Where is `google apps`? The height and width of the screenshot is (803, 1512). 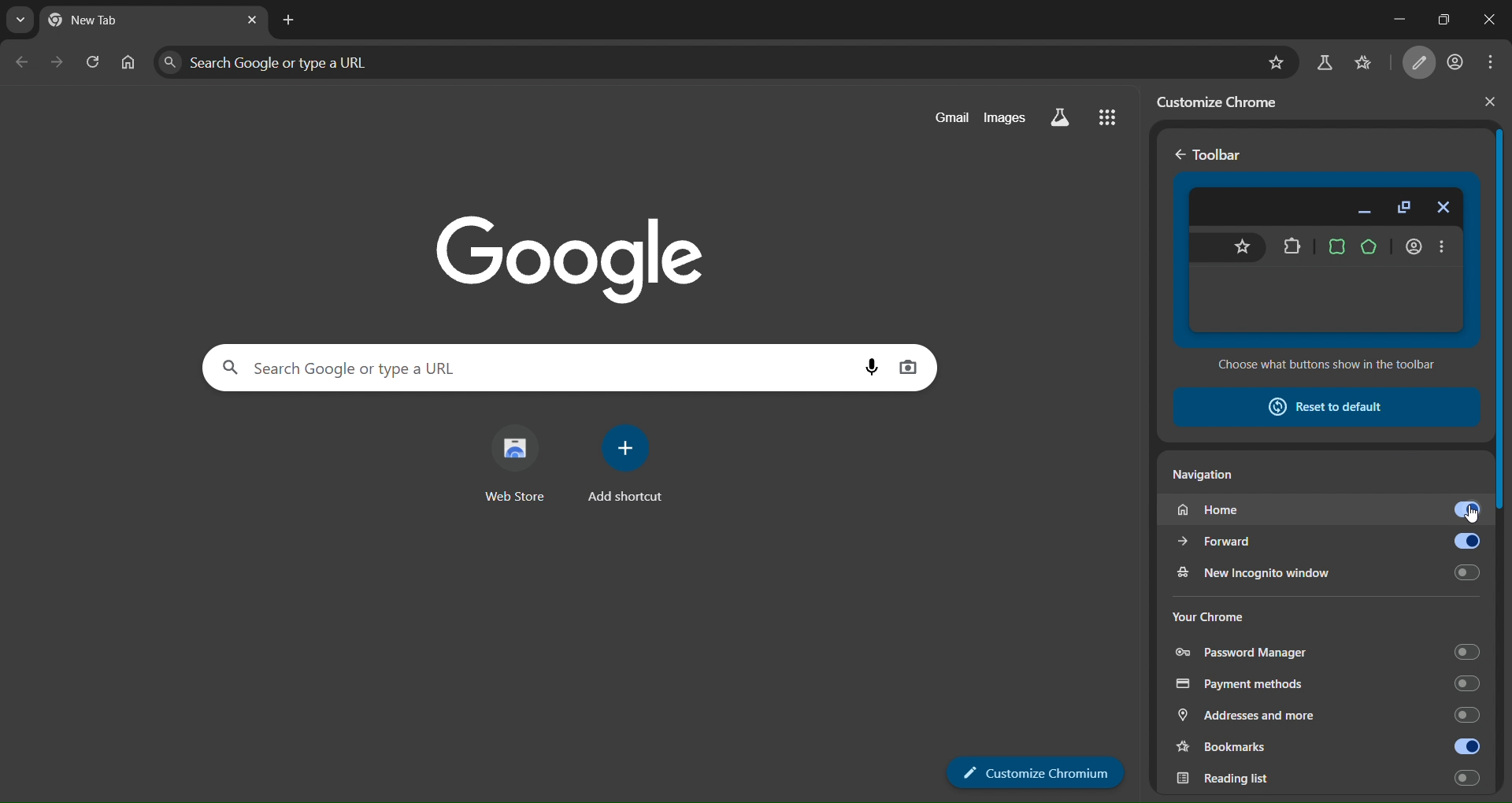
google apps is located at coordinates (1115, 120).